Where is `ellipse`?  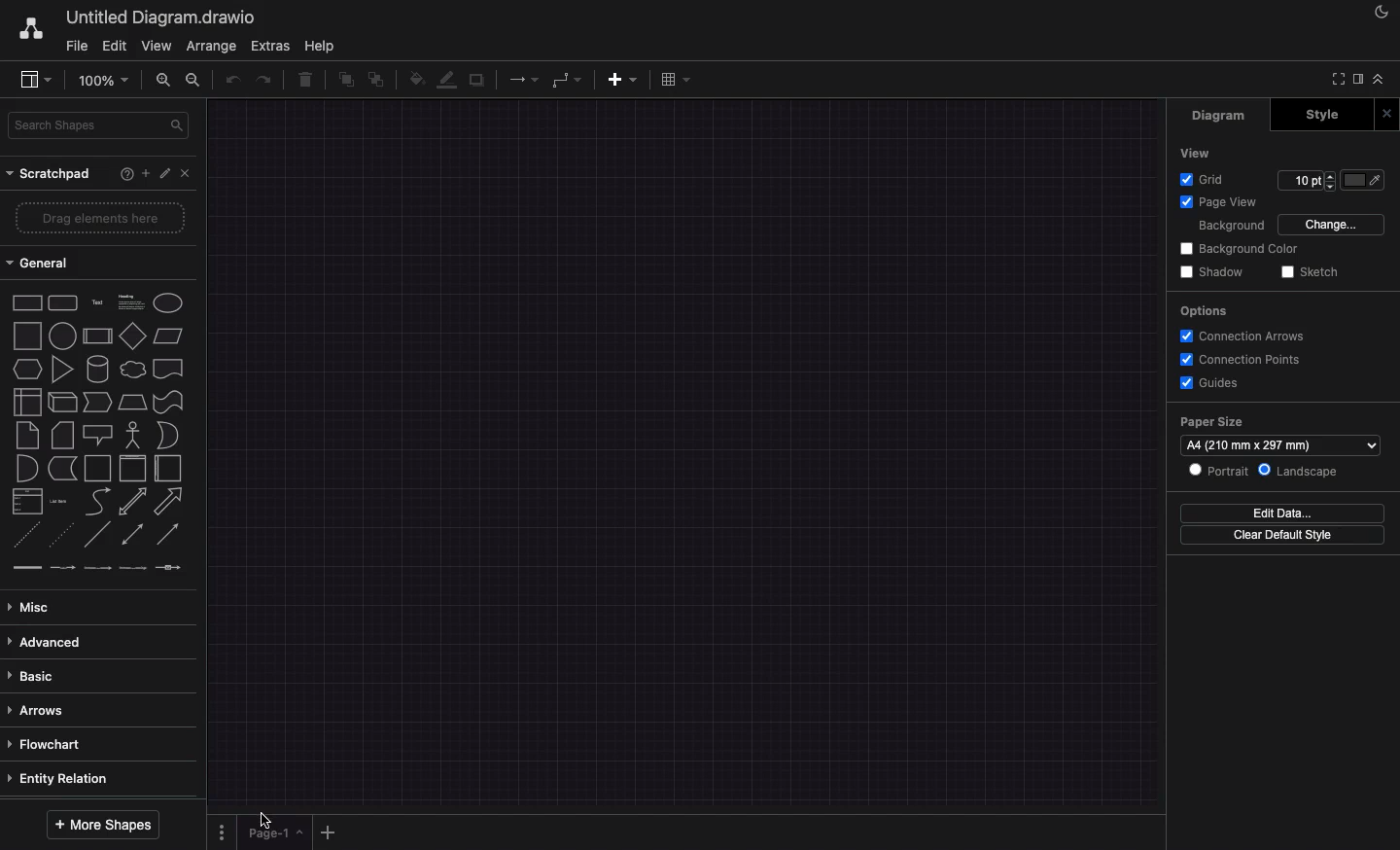 ellipse is located at coordinates (168, 303).